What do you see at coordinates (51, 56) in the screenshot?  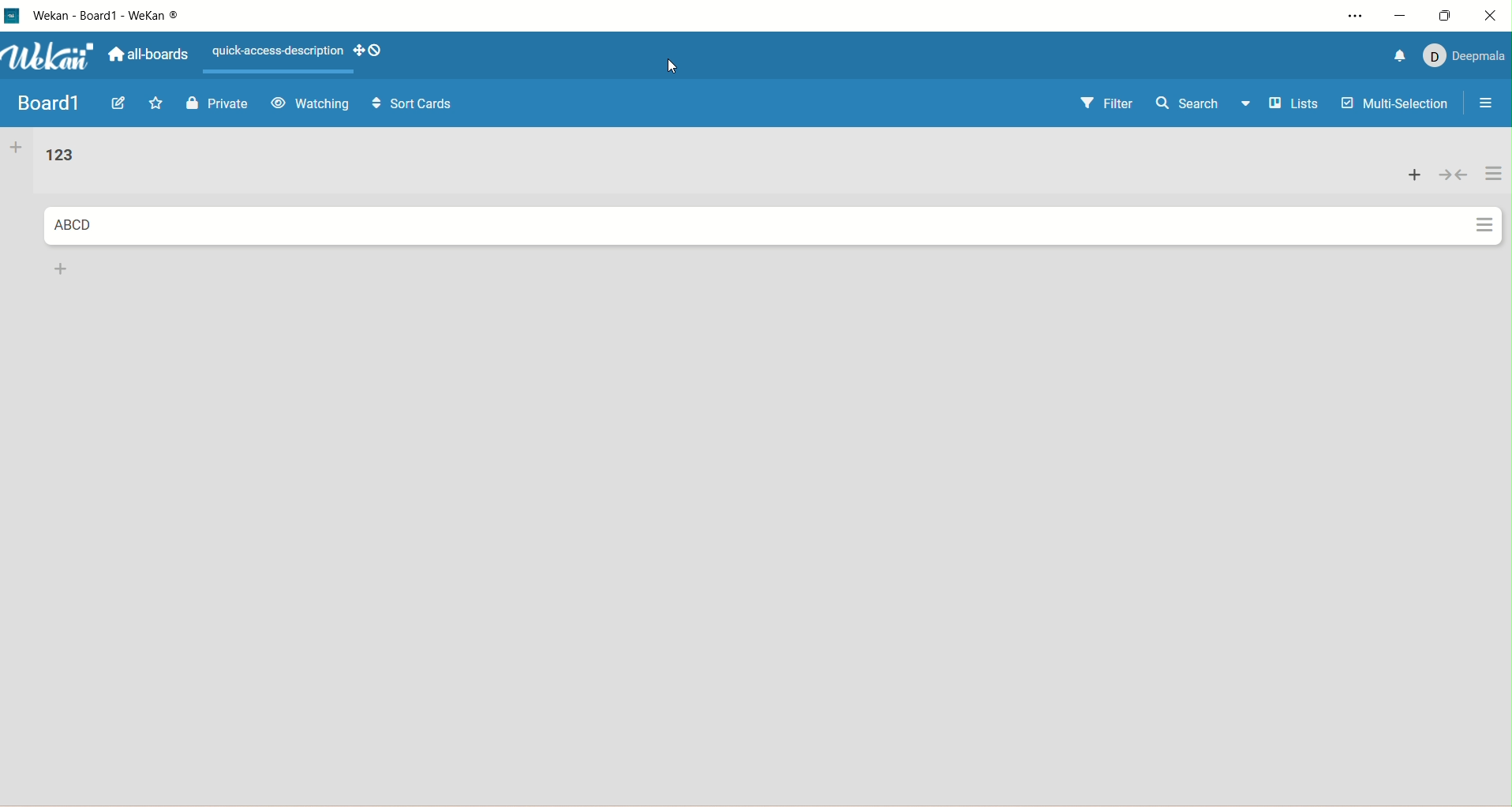 I see `wekan` at bounding box center [51, 56].